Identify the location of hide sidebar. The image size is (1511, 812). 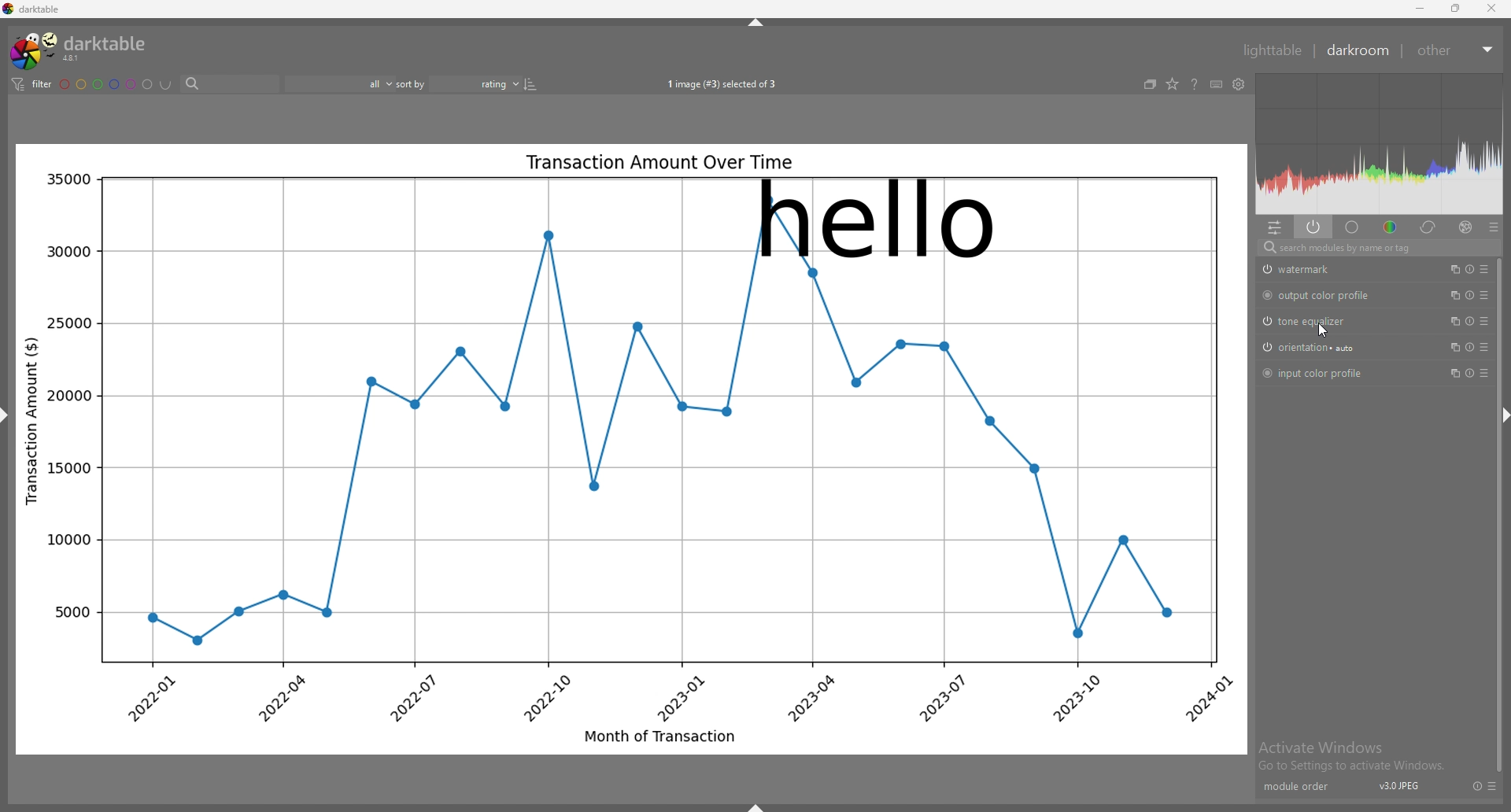
(1506, 417).